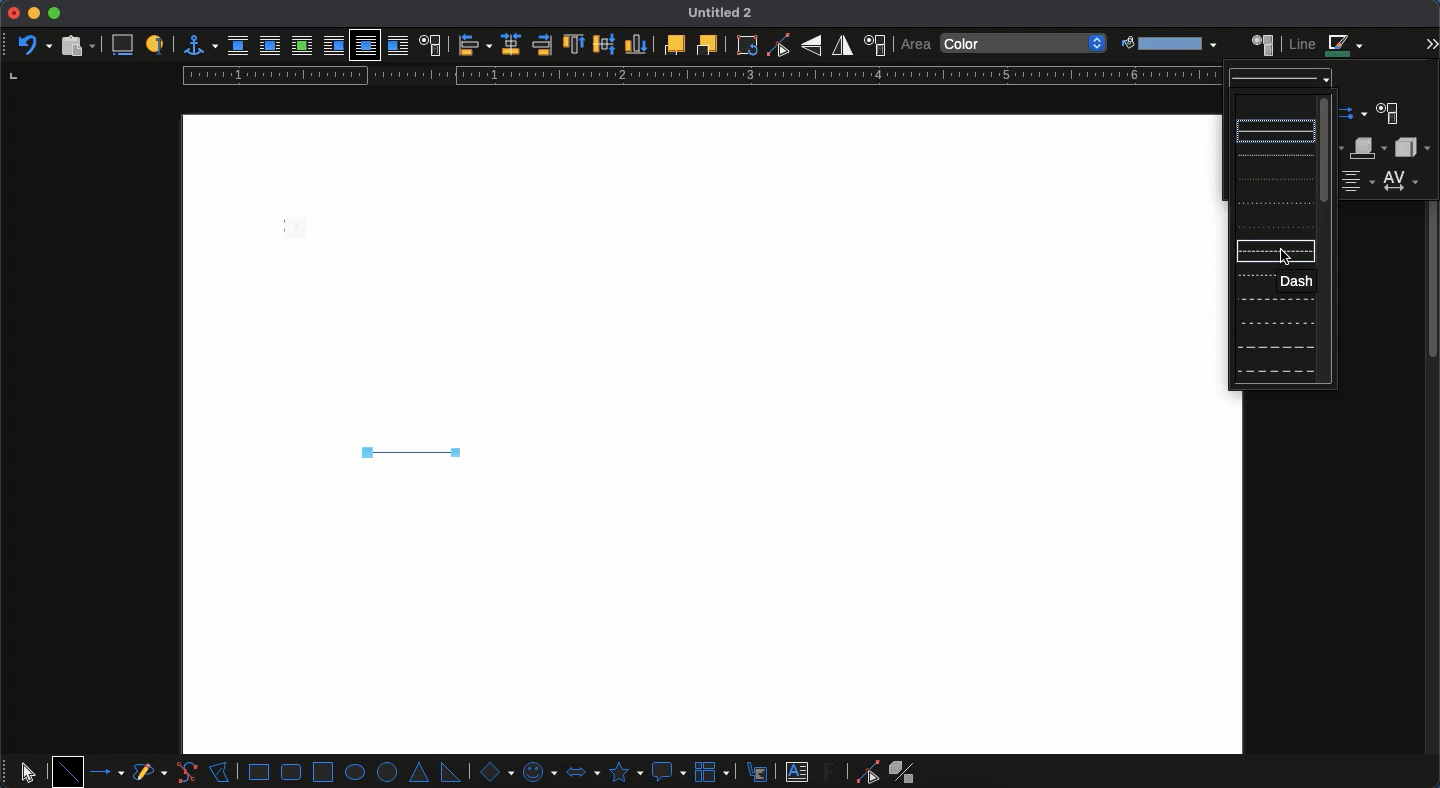 The image size is (1440, 788). What do you see at coordinates (1431, 42) in the screenshot?
I see `expand` at bounding box center [1431, 42].